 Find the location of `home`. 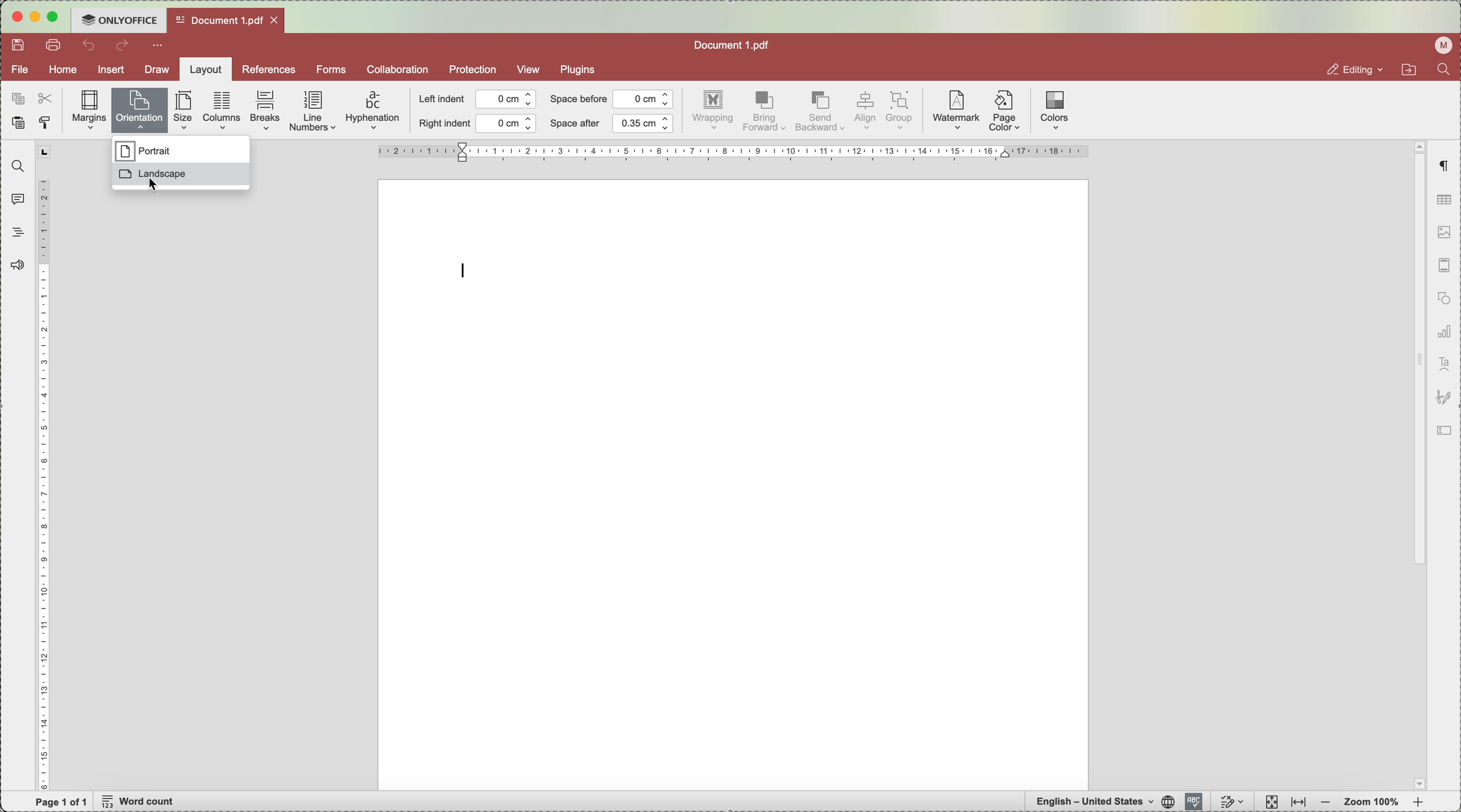

home is located at coordinates (64, 71).